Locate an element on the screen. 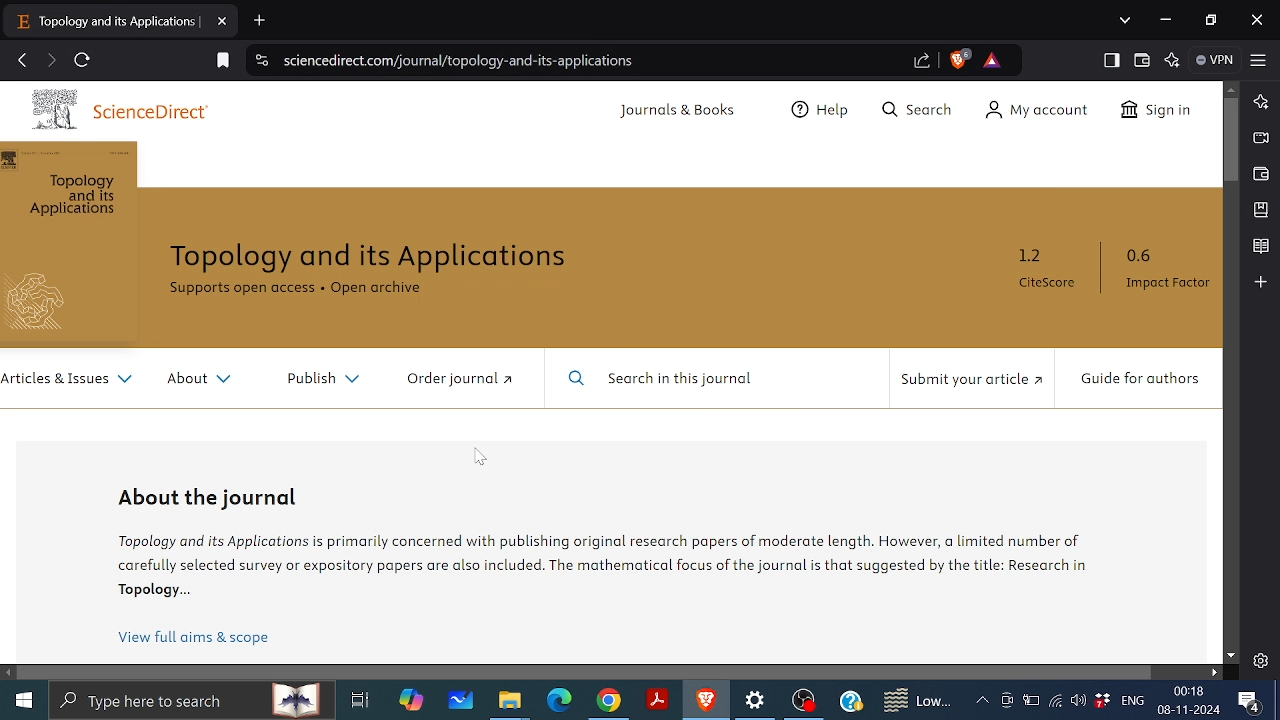 The width and height of the screenshot is (1280, 720). bookmark this tab is located at coordinates (220, 62).